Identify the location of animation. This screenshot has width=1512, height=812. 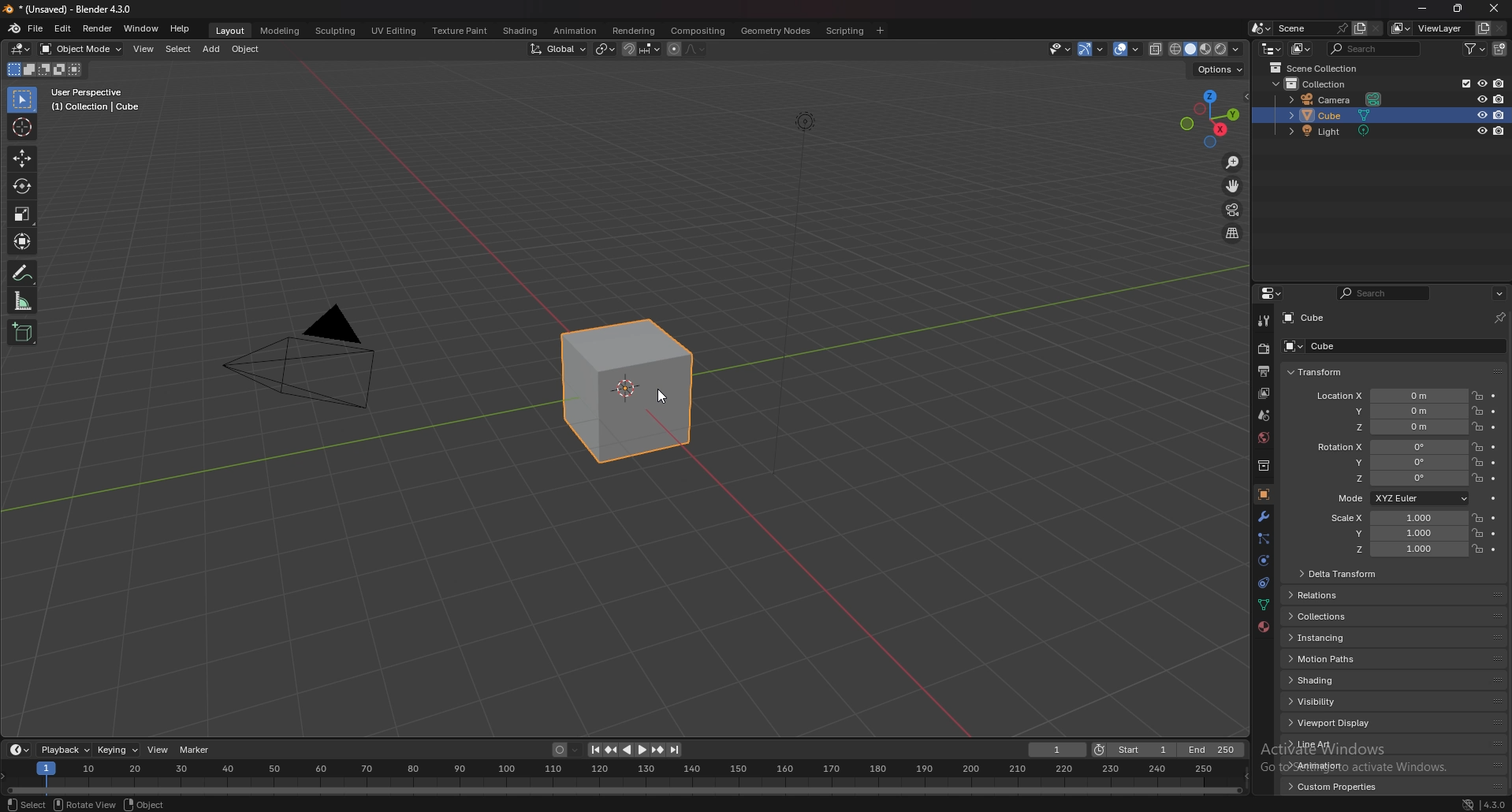
(1341, 765).